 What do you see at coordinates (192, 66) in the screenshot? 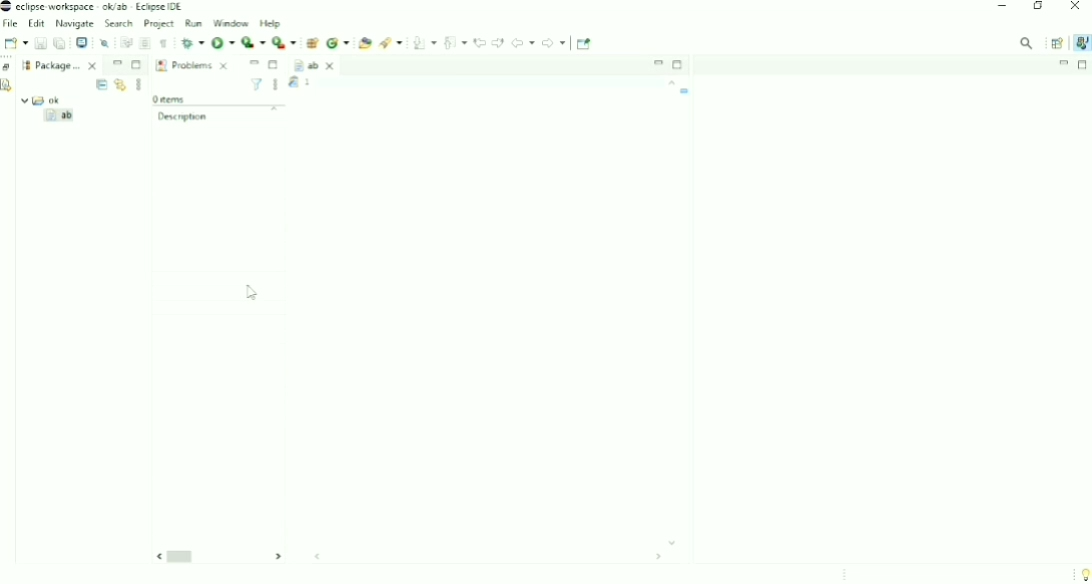
I see `Problems` at bounding box center [192, 66].